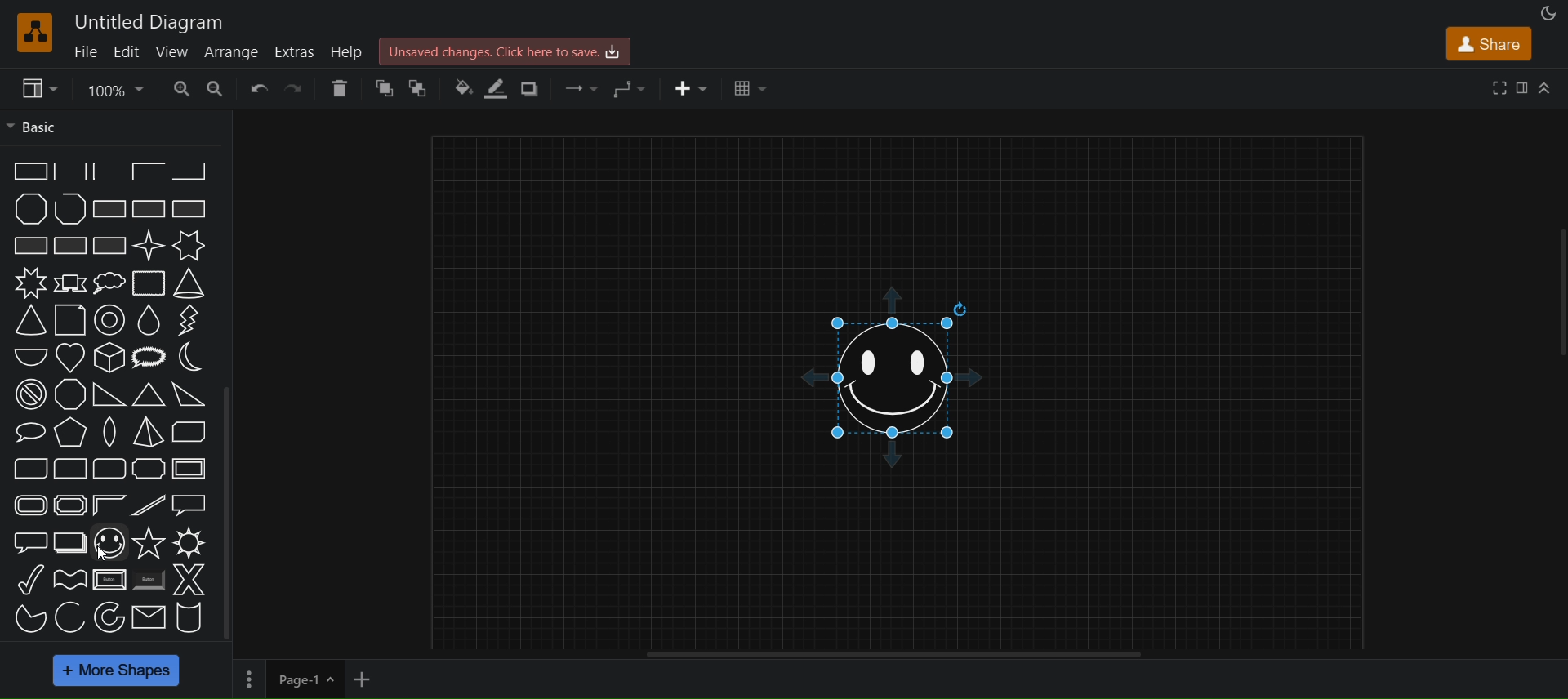 The height and width of the screenshot is (699, 1568). Describe the element at coordinates (1547, 87) in the screenshot. I see `collapse/expand` at that location.